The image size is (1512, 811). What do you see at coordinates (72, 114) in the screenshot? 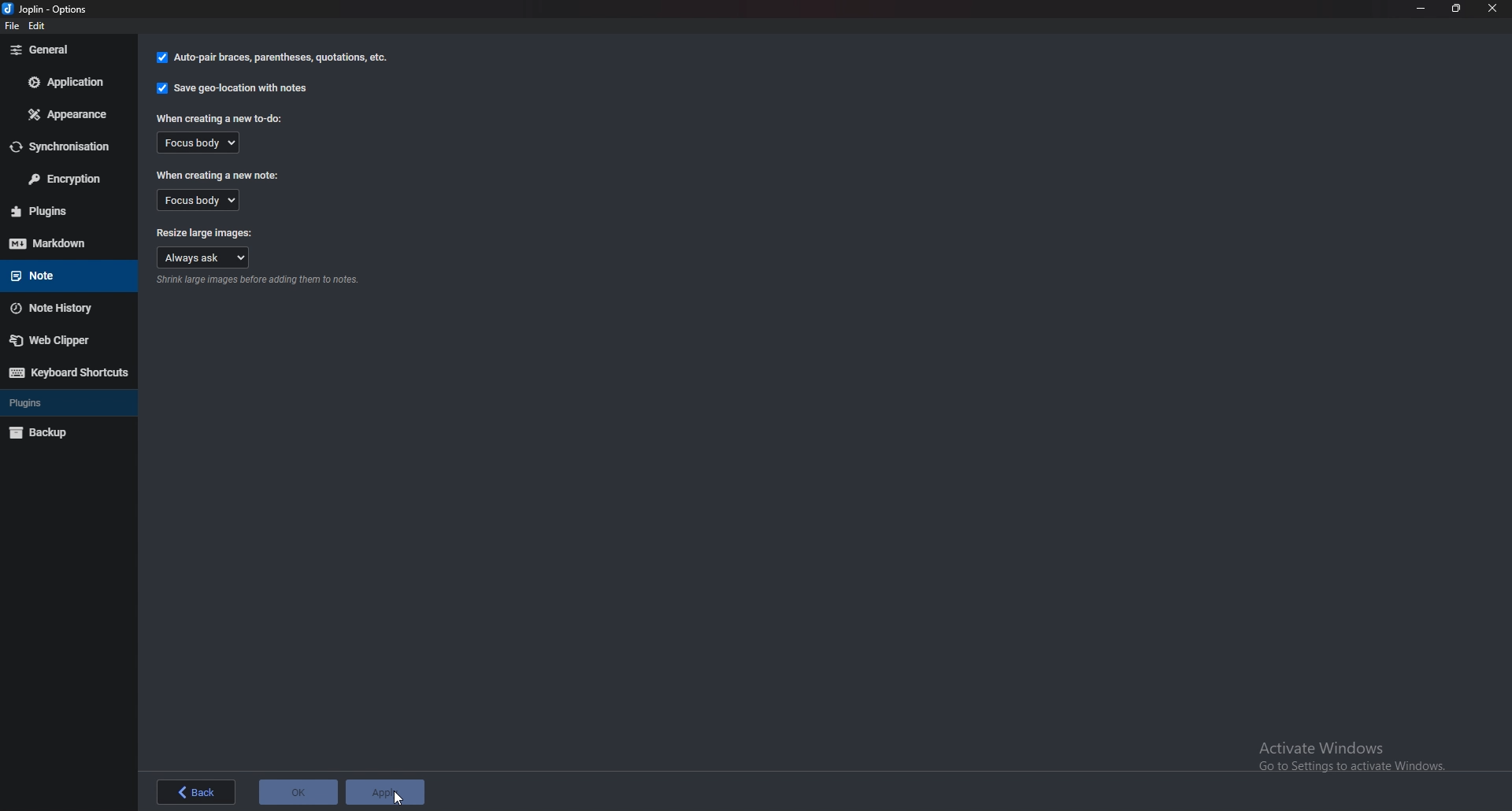
I see `Appearance` at bounding box center [72, 114].